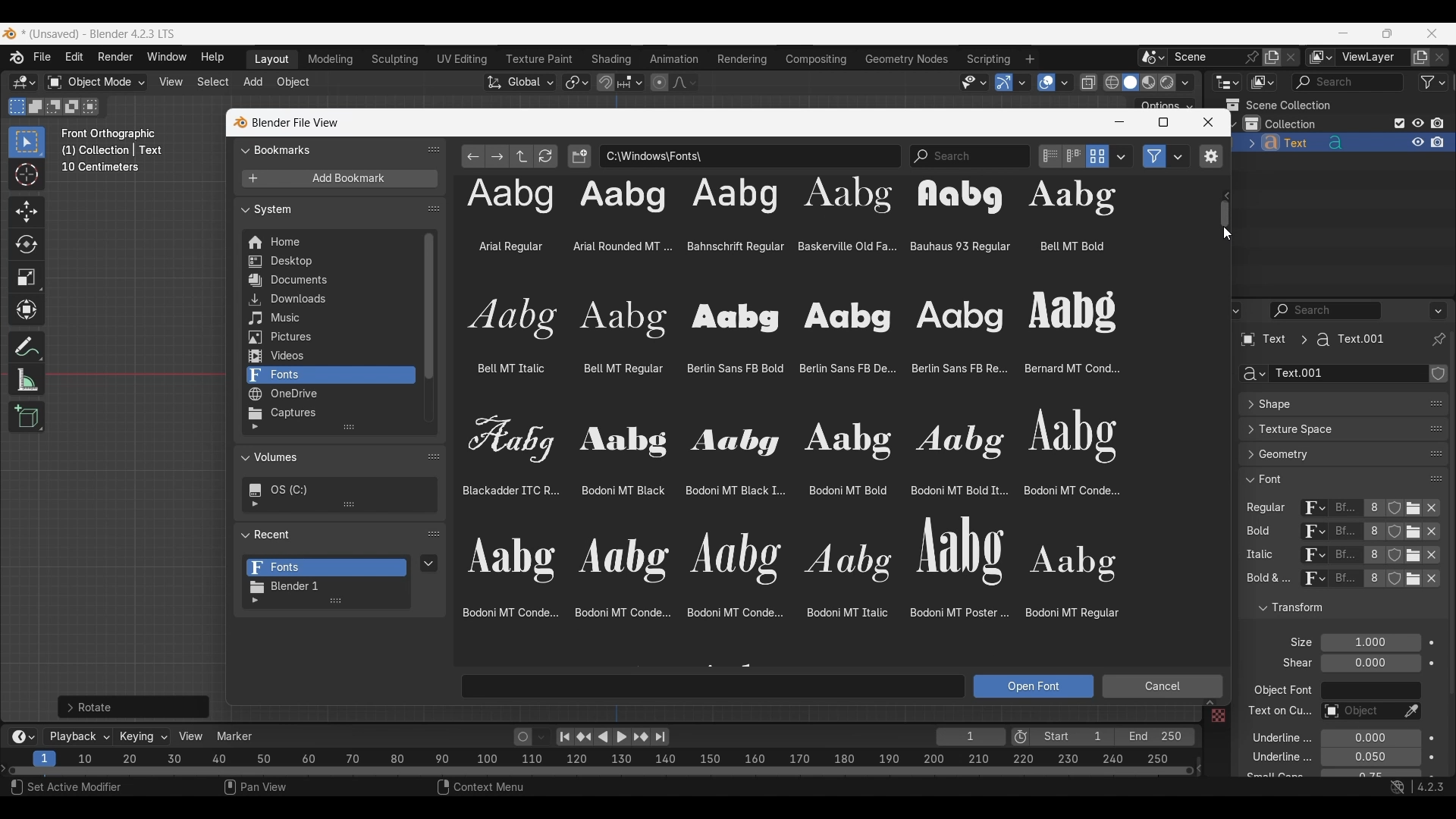 The image size is (1456, 819). What do you see at coordinates (1004, 83) in the screenshot?
I see `Show gizmo` at bounding box center [1004, 83].